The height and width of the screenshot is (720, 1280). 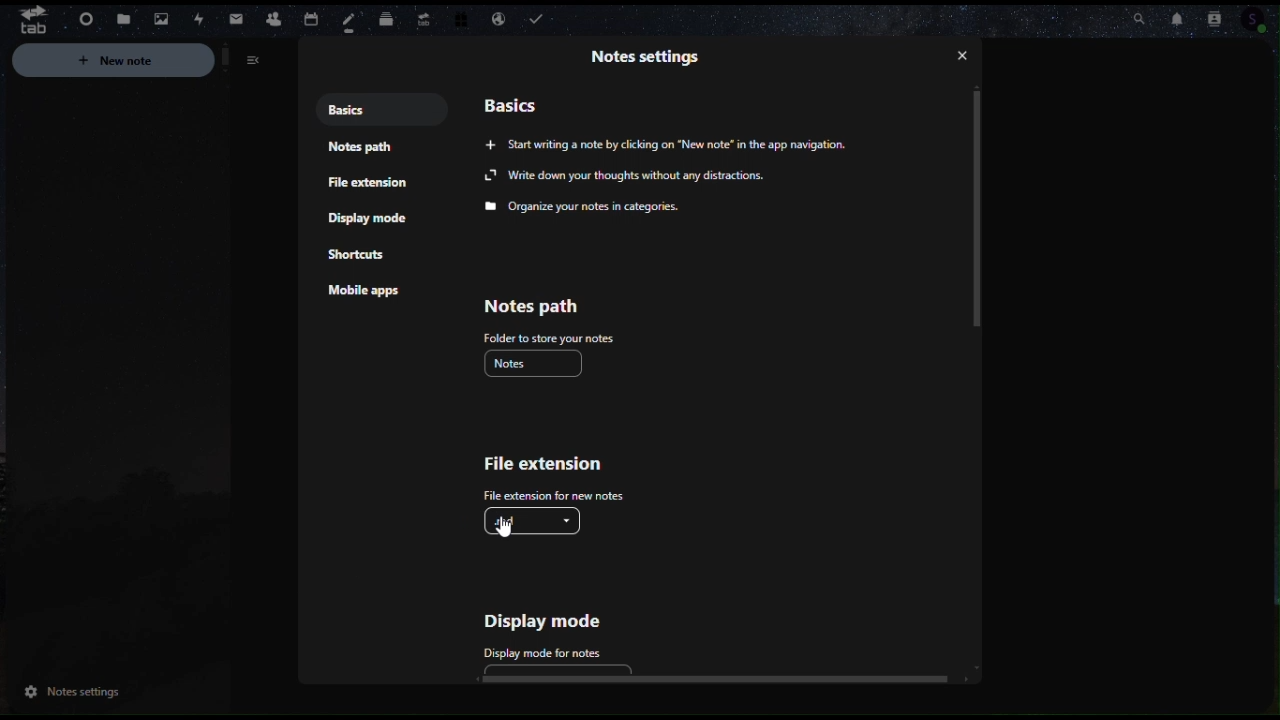 What do you see at coordinates (506, 533) in the screenshot?
I see `cursor` at bounding box center [506, 533].